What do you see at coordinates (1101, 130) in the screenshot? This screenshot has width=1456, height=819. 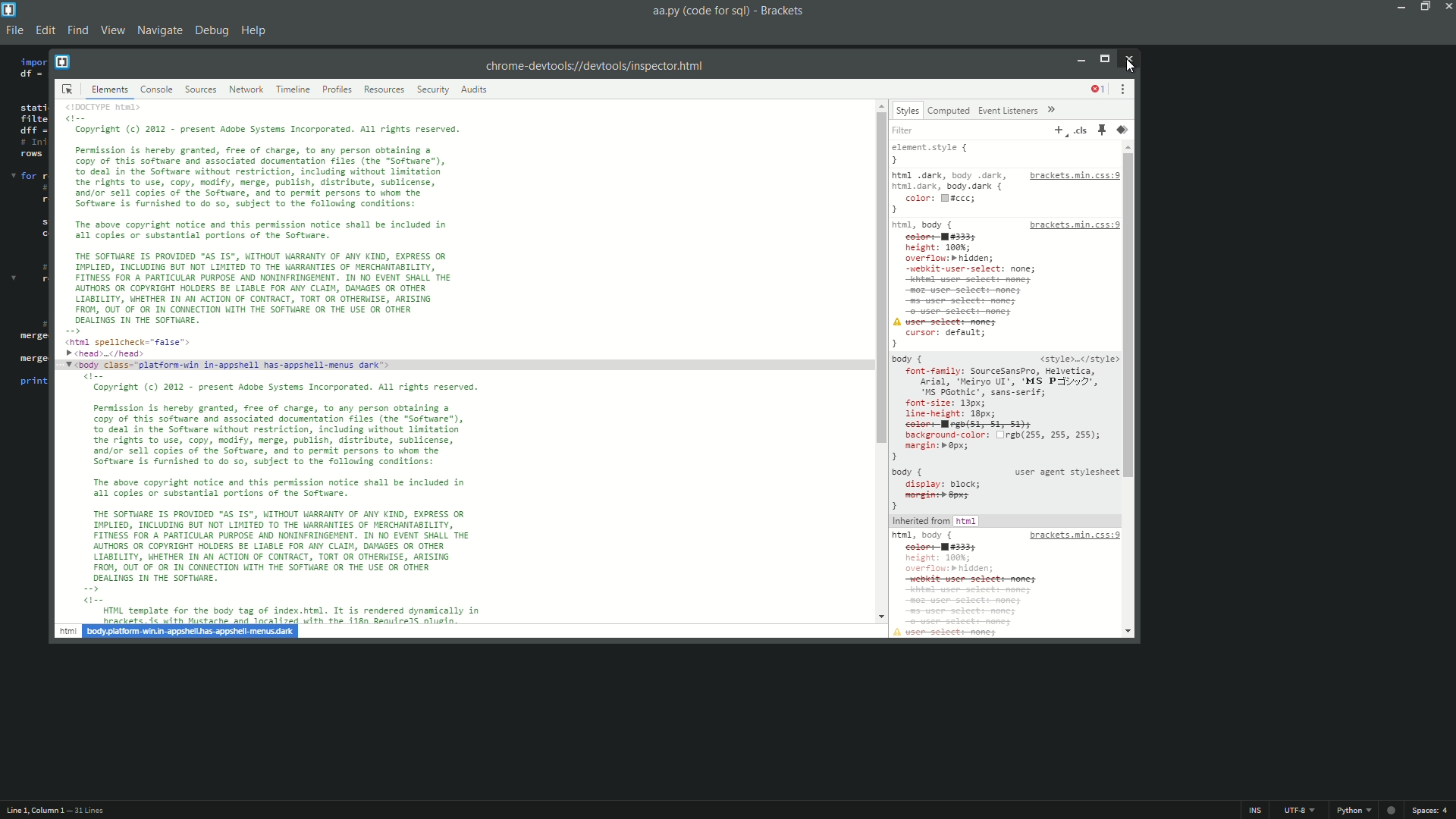 I see `toggle element state` at bounding box center [1101, 130].